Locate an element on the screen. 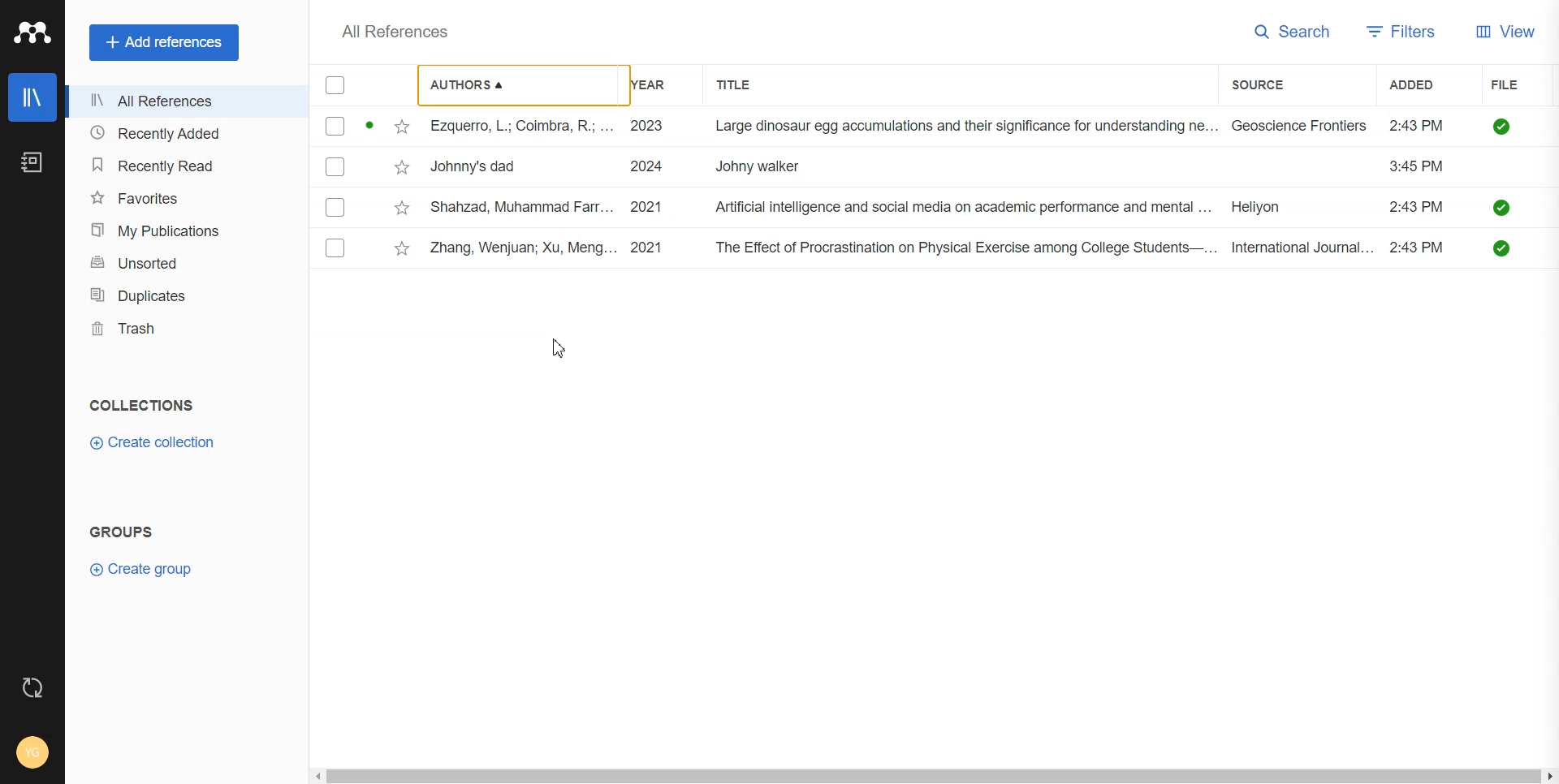 The height and width of the screenshot is (784, 1559). Cursor is located at coordinates (559, 350).